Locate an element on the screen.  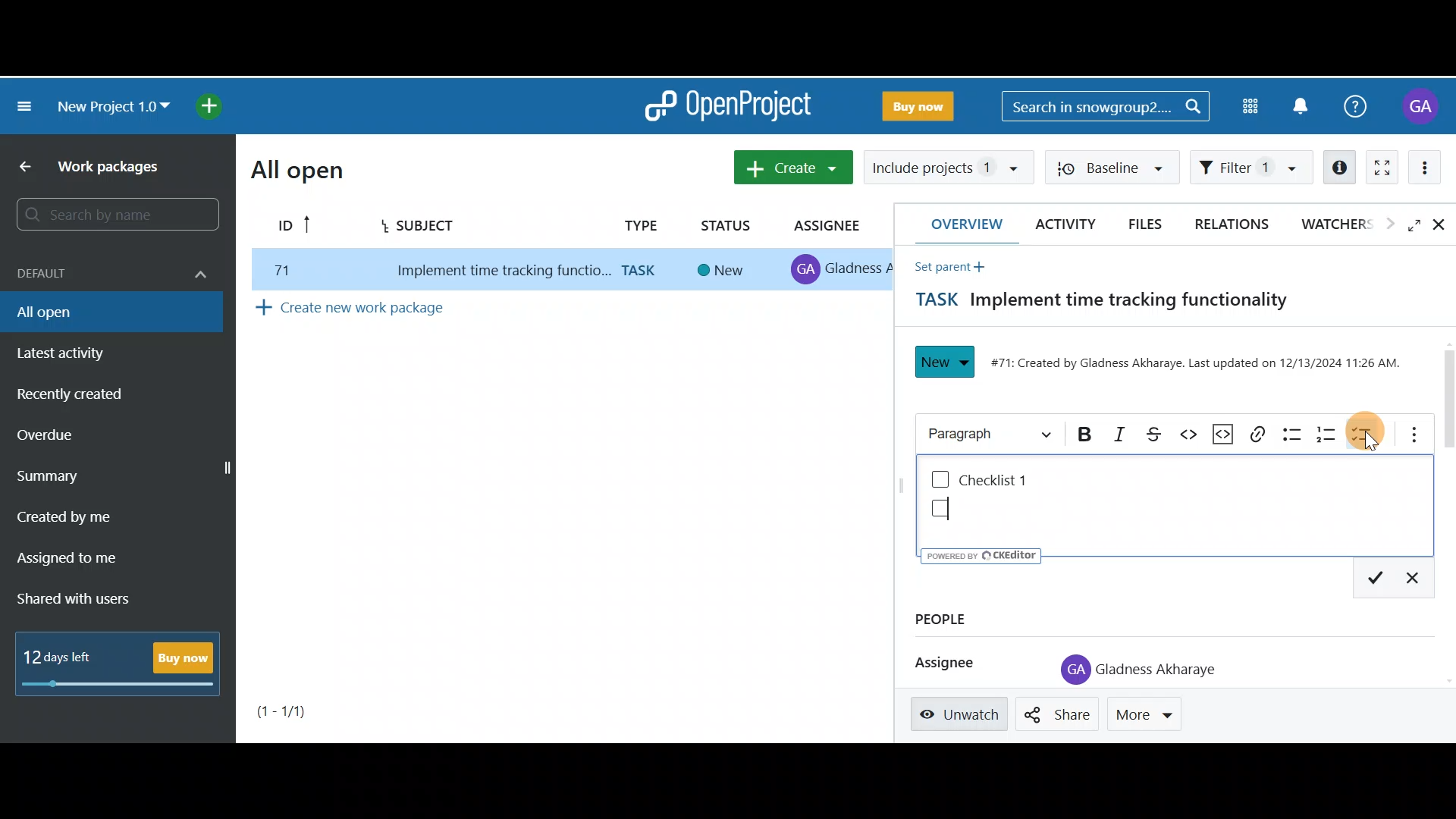
Filter is located at coordinates (1251, 168).